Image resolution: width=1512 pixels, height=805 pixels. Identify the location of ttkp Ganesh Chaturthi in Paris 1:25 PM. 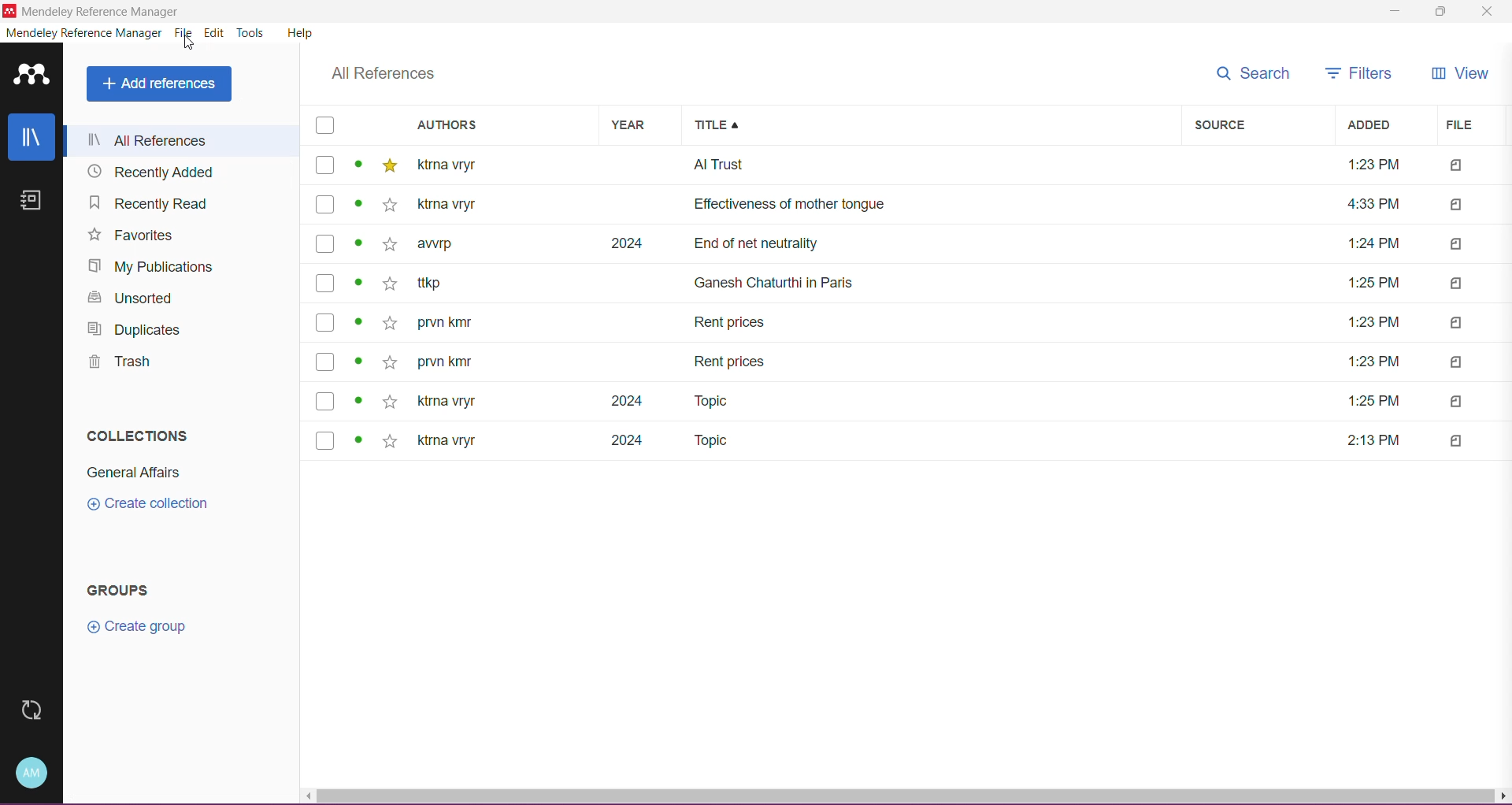
(913, 284).